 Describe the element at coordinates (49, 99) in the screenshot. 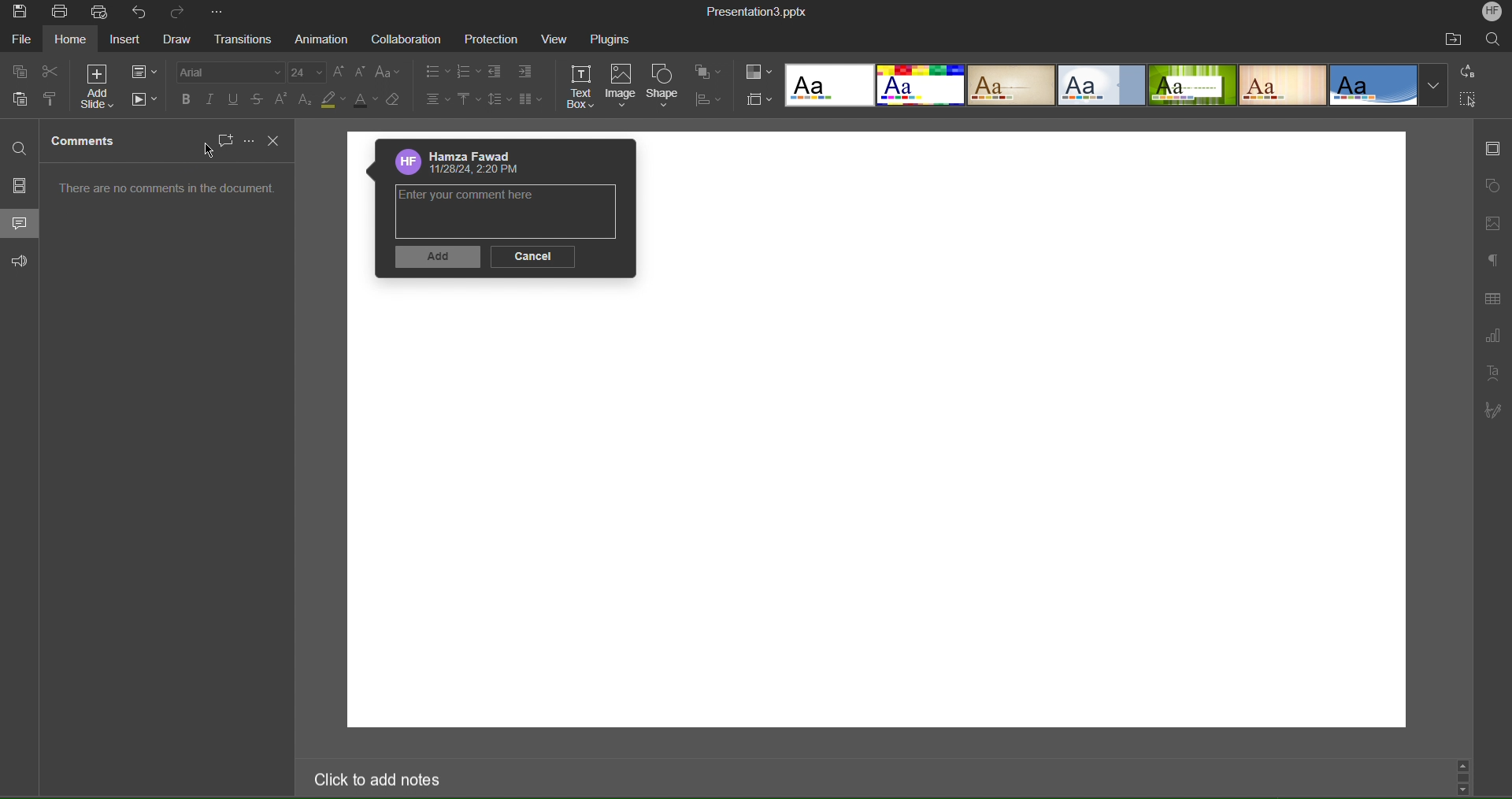

I see `Copy Style` at that location.